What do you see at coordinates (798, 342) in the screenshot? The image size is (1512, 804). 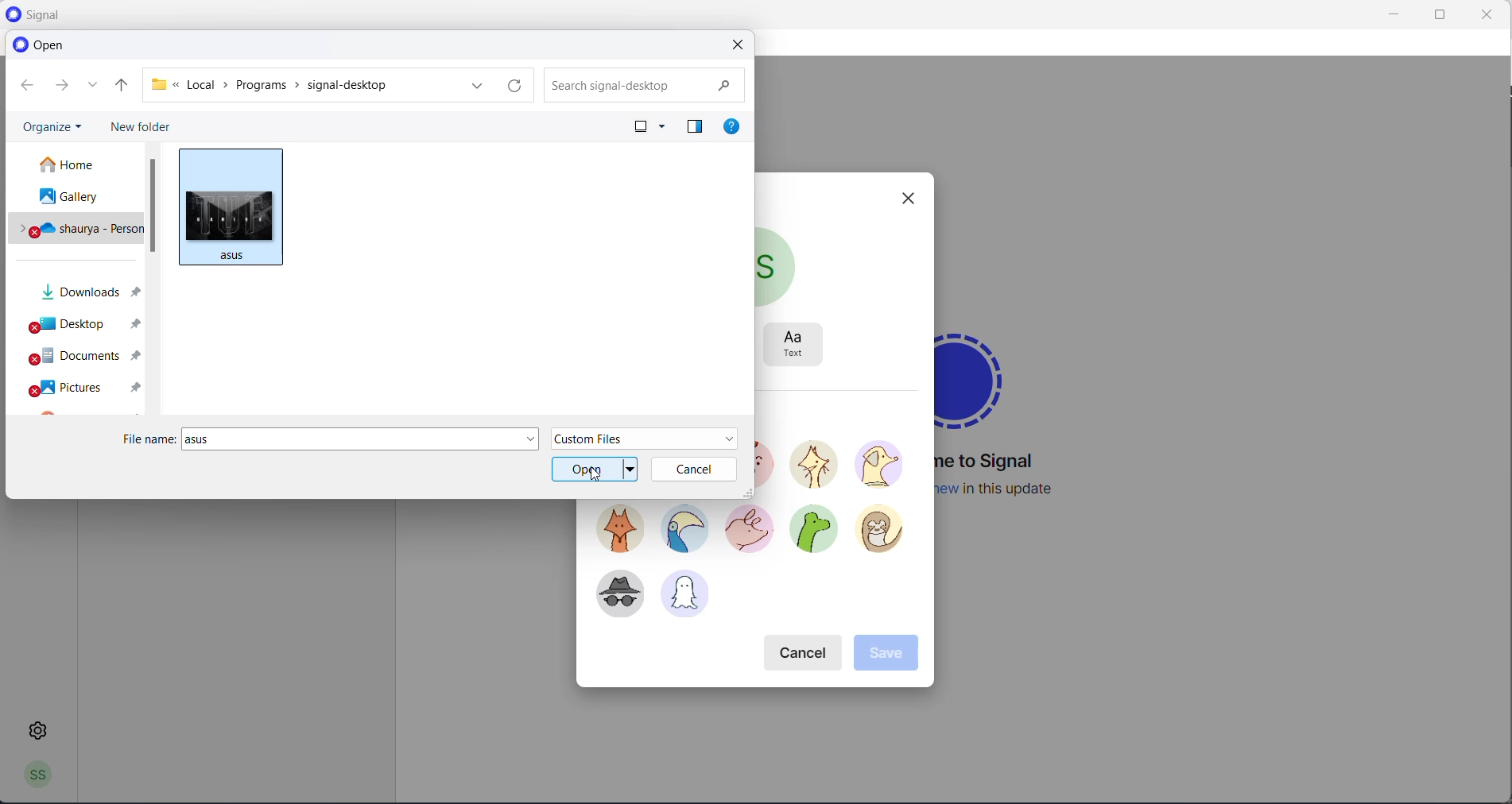 I see `text` at bounding box center [798, 342].